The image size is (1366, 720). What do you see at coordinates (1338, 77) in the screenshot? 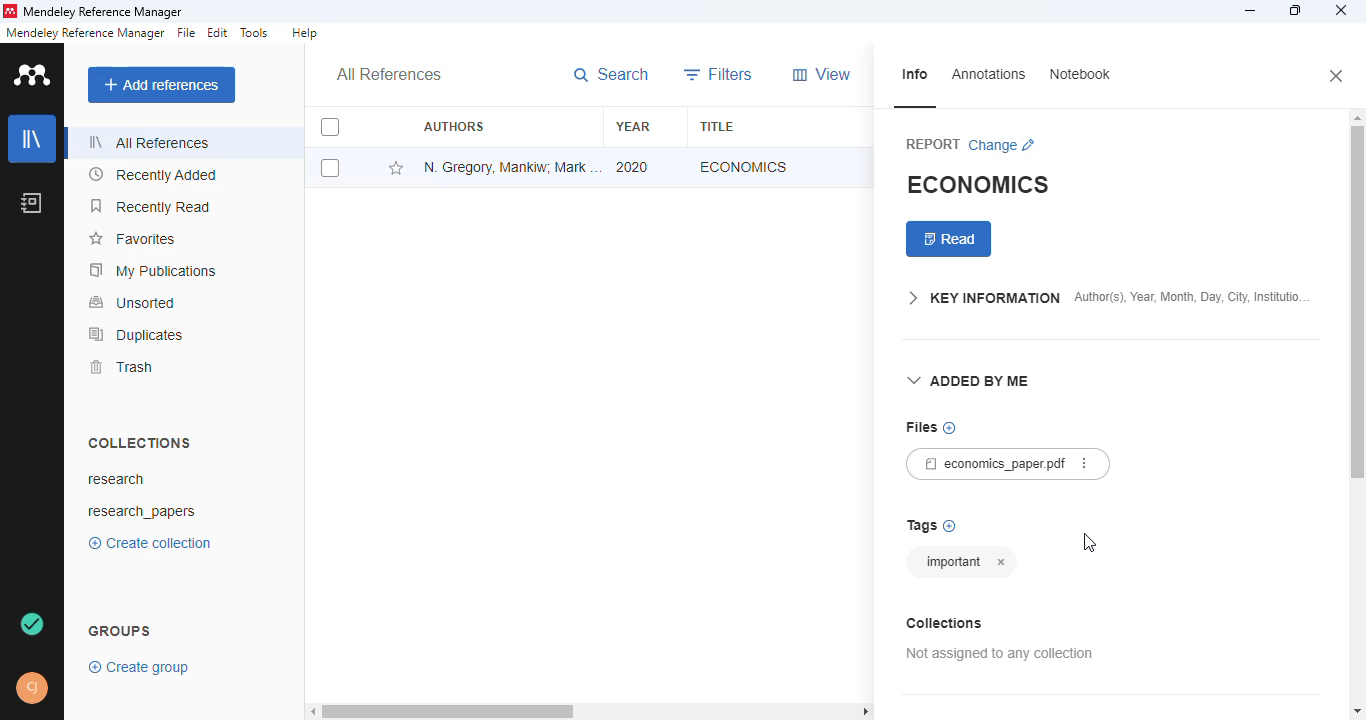
I see `close` at bounding box center [1338, 77].